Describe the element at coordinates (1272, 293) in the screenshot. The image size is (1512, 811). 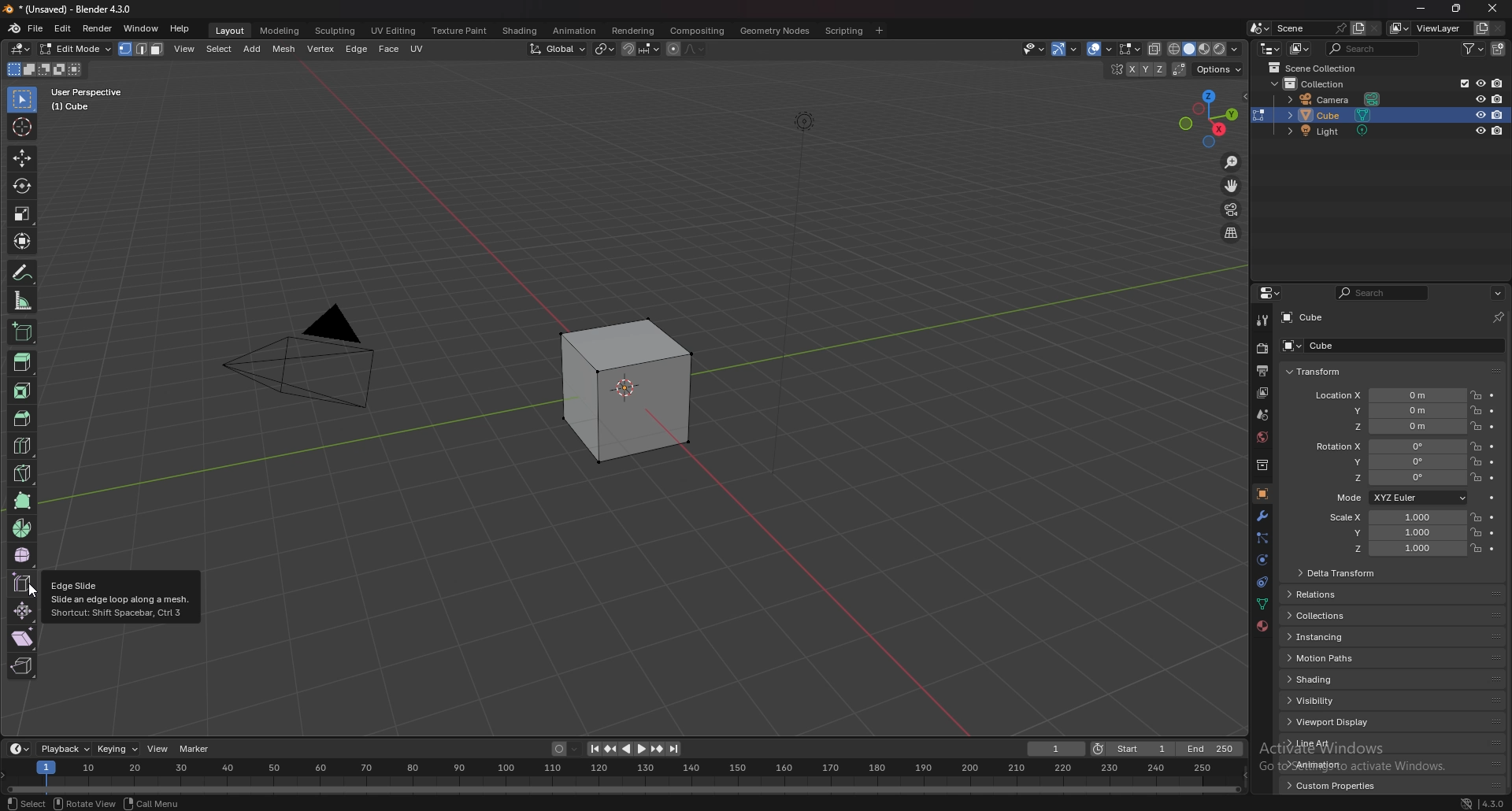
I see `editor type` at that location.